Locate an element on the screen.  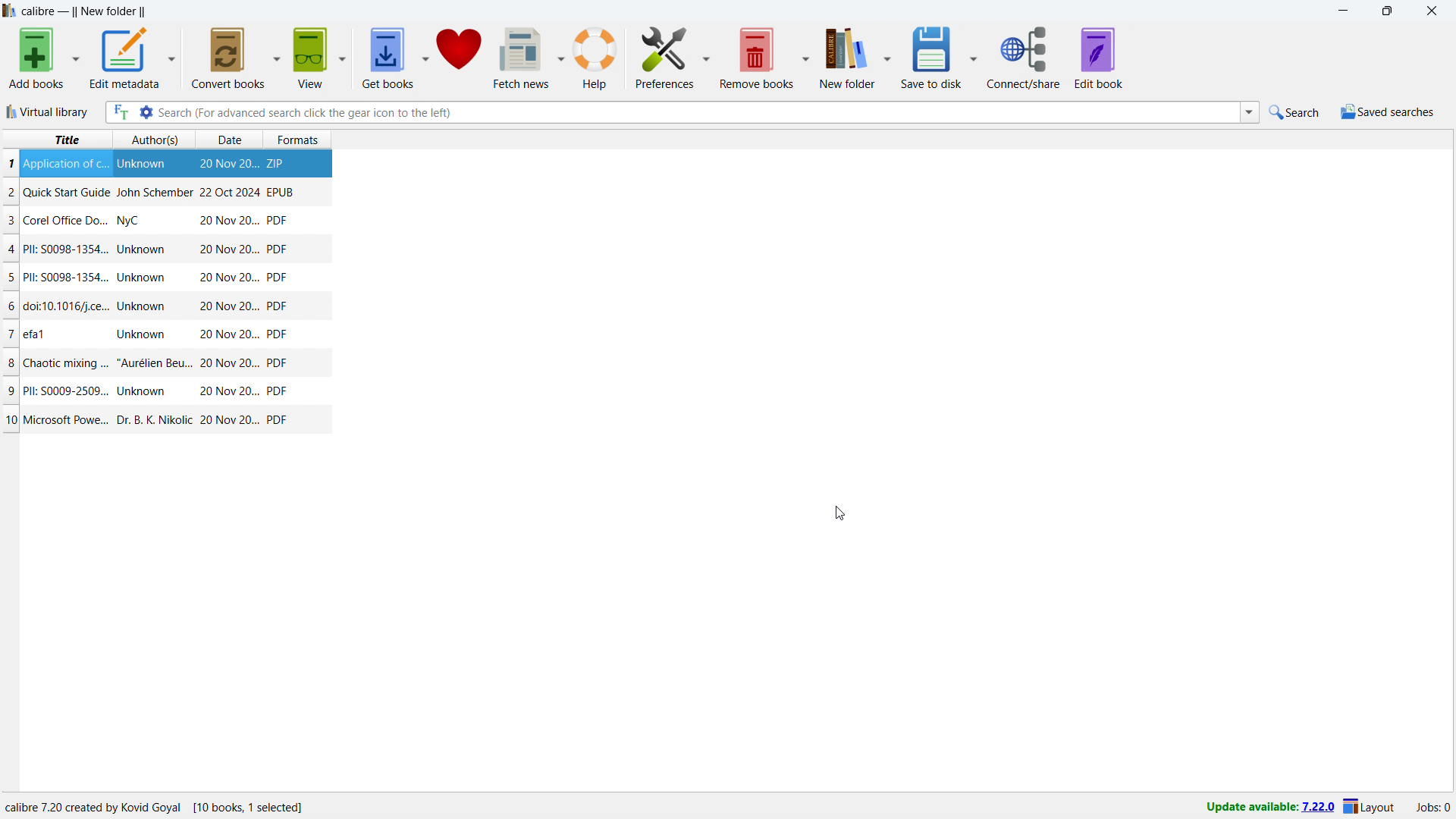
edit metadata options is located at coordinates (171, 58).